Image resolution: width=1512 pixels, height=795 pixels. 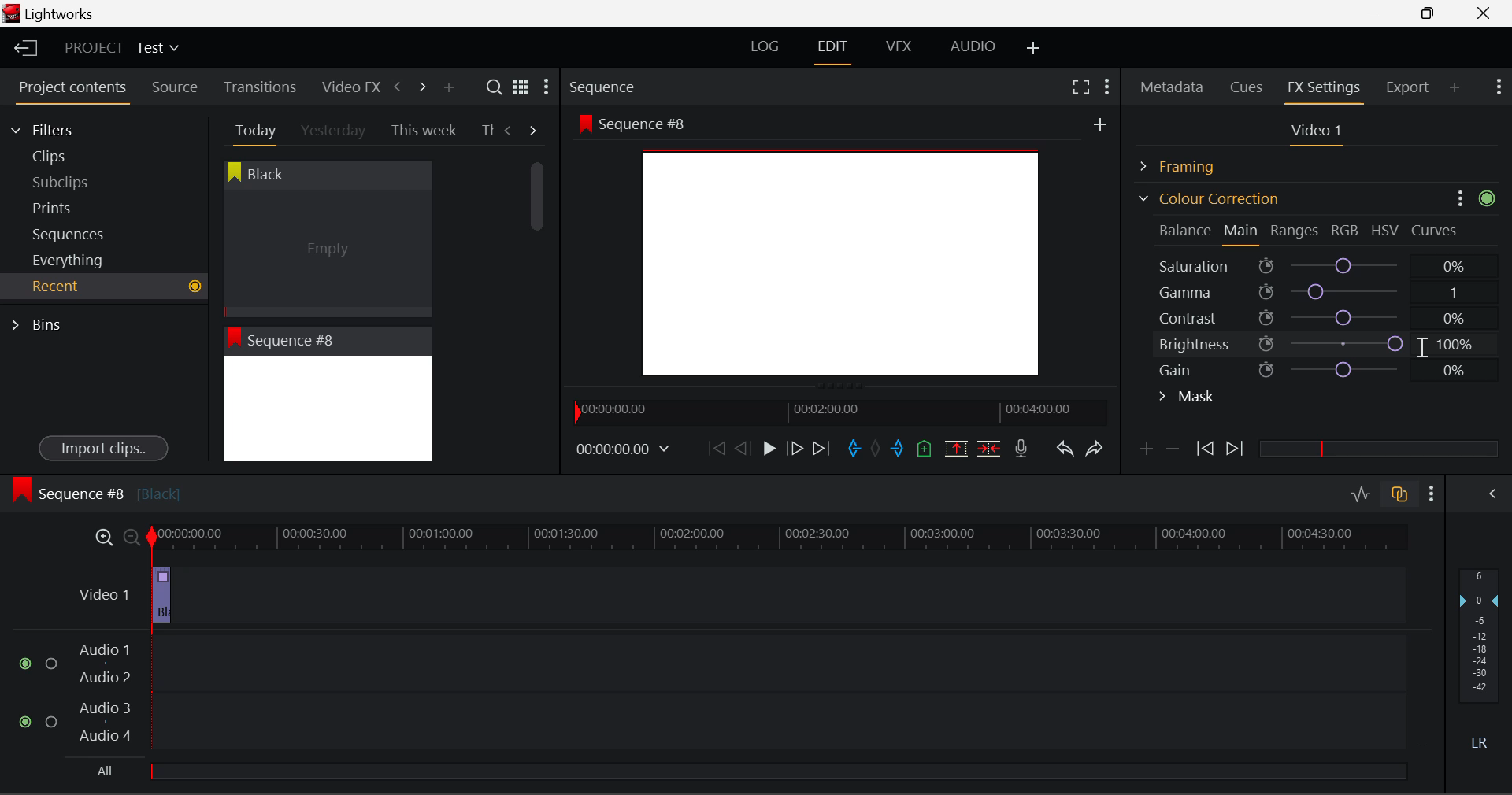 What do you see at coordinates (1332, 367) in the screenshot?
I see `Gain` at bounding box center [1332, 367].